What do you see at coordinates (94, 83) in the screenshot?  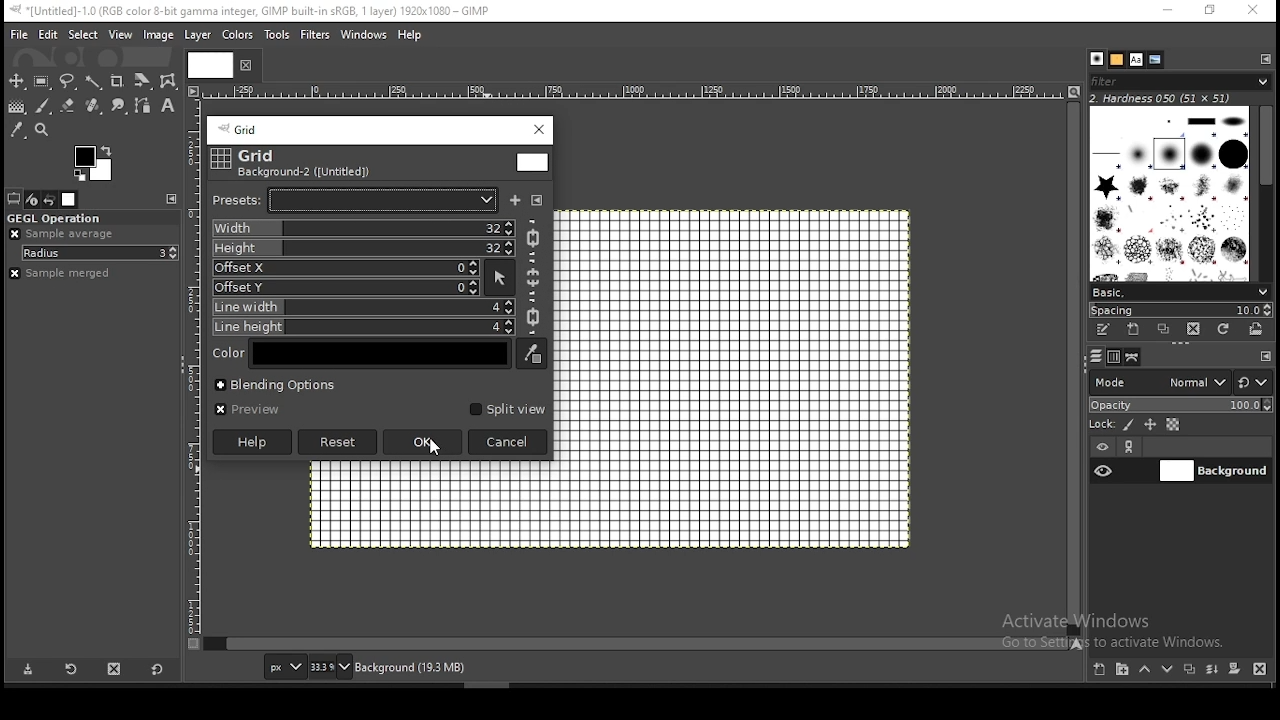 I see `fuzzy select tool` at bounding box center [94, 83].